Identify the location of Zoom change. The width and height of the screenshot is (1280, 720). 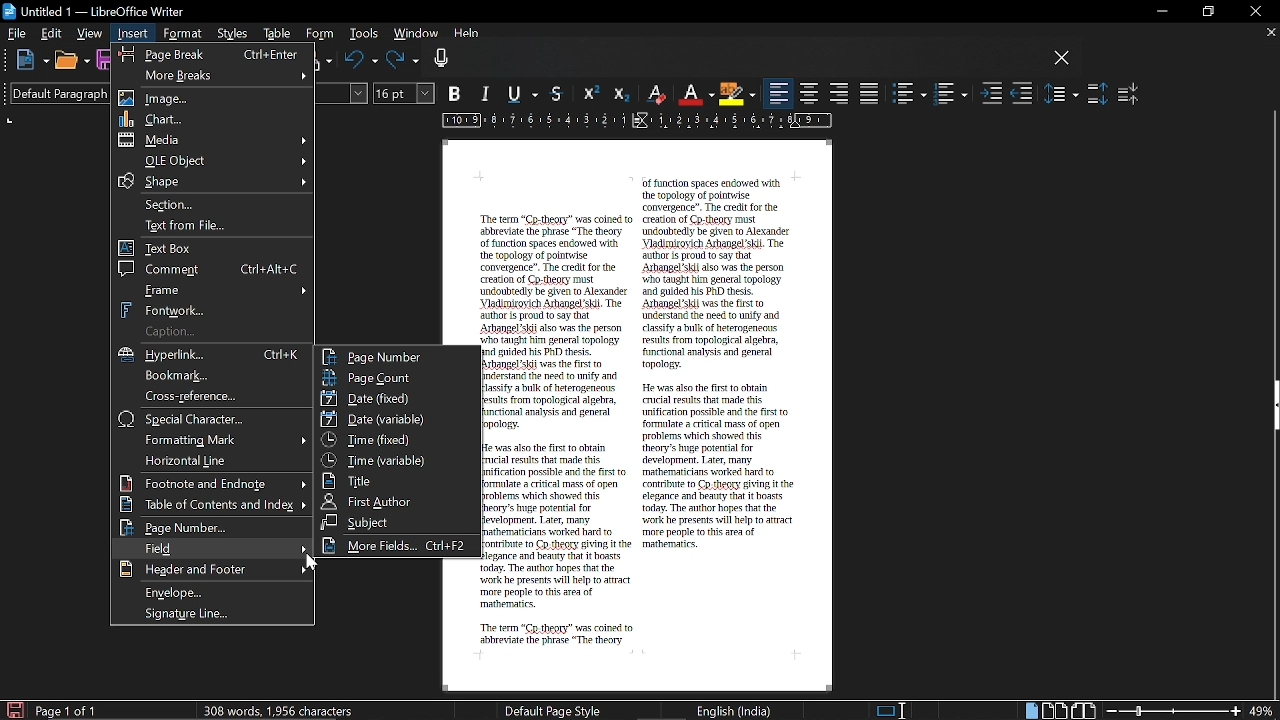
(1174, 711).